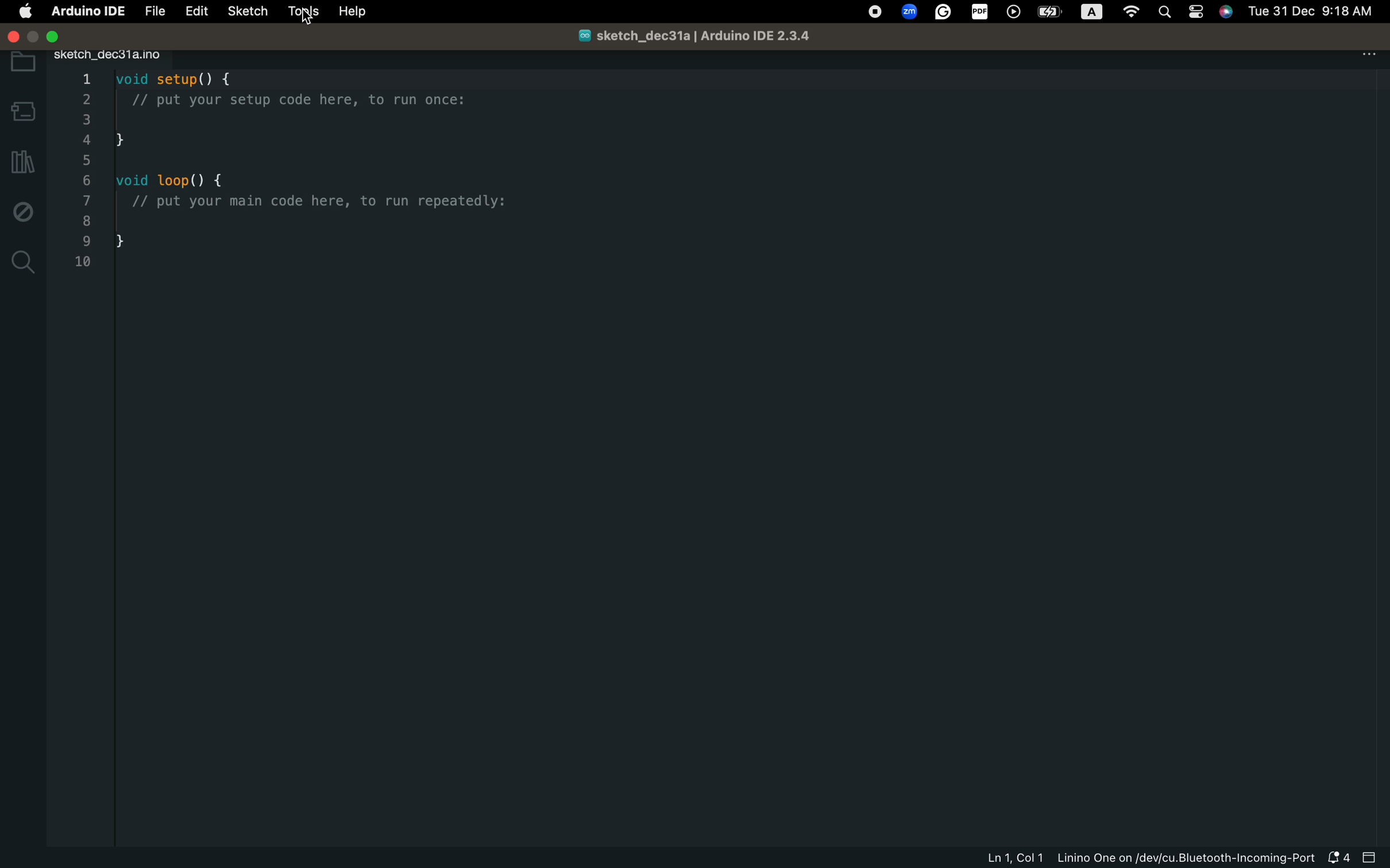  What do you see at coordinates (1147, 859) in the screenshot?
I see `file information` at bounding box center [1147, 859].